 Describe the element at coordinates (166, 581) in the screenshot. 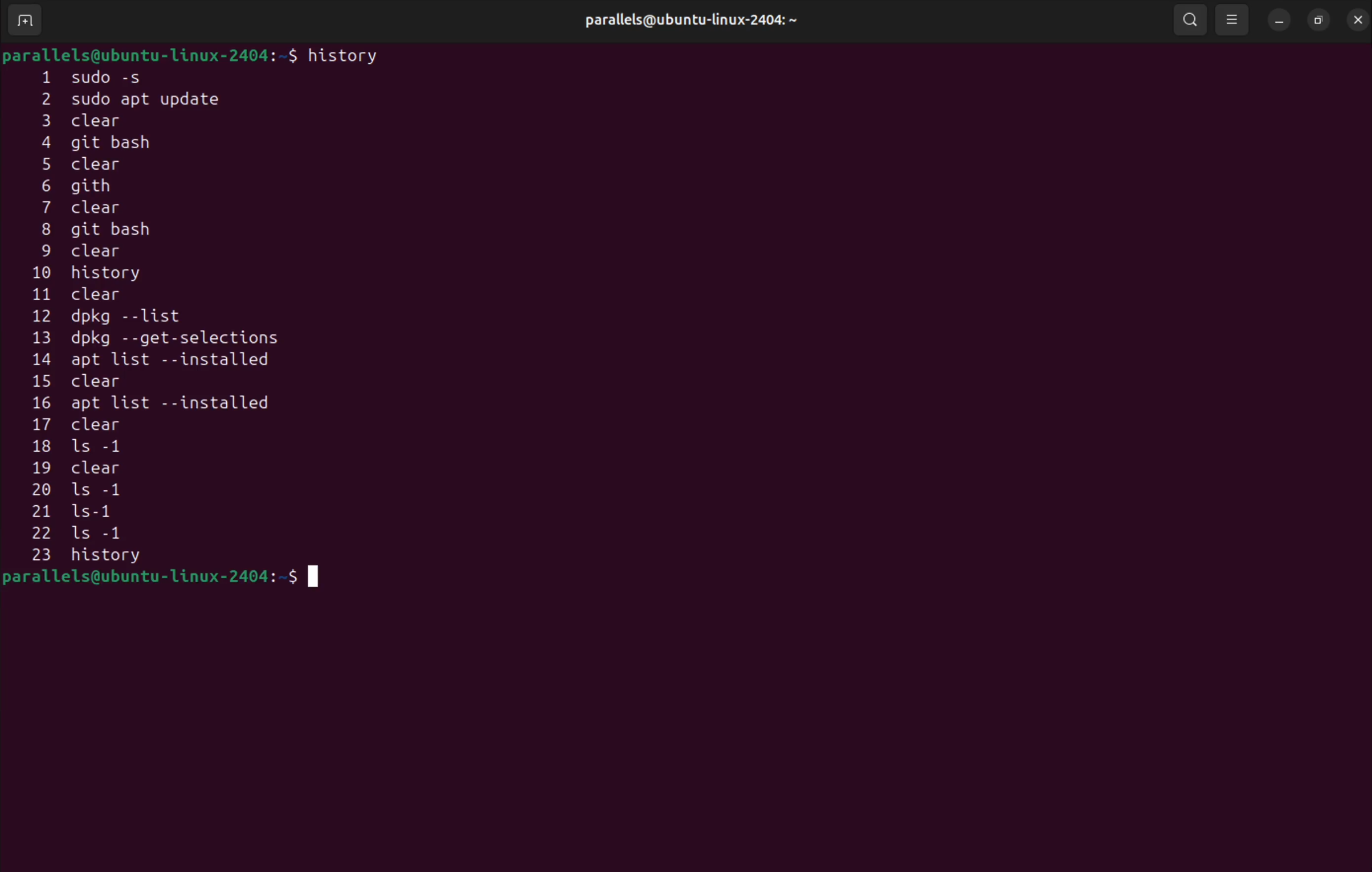

I see `bash prompt` at that location.